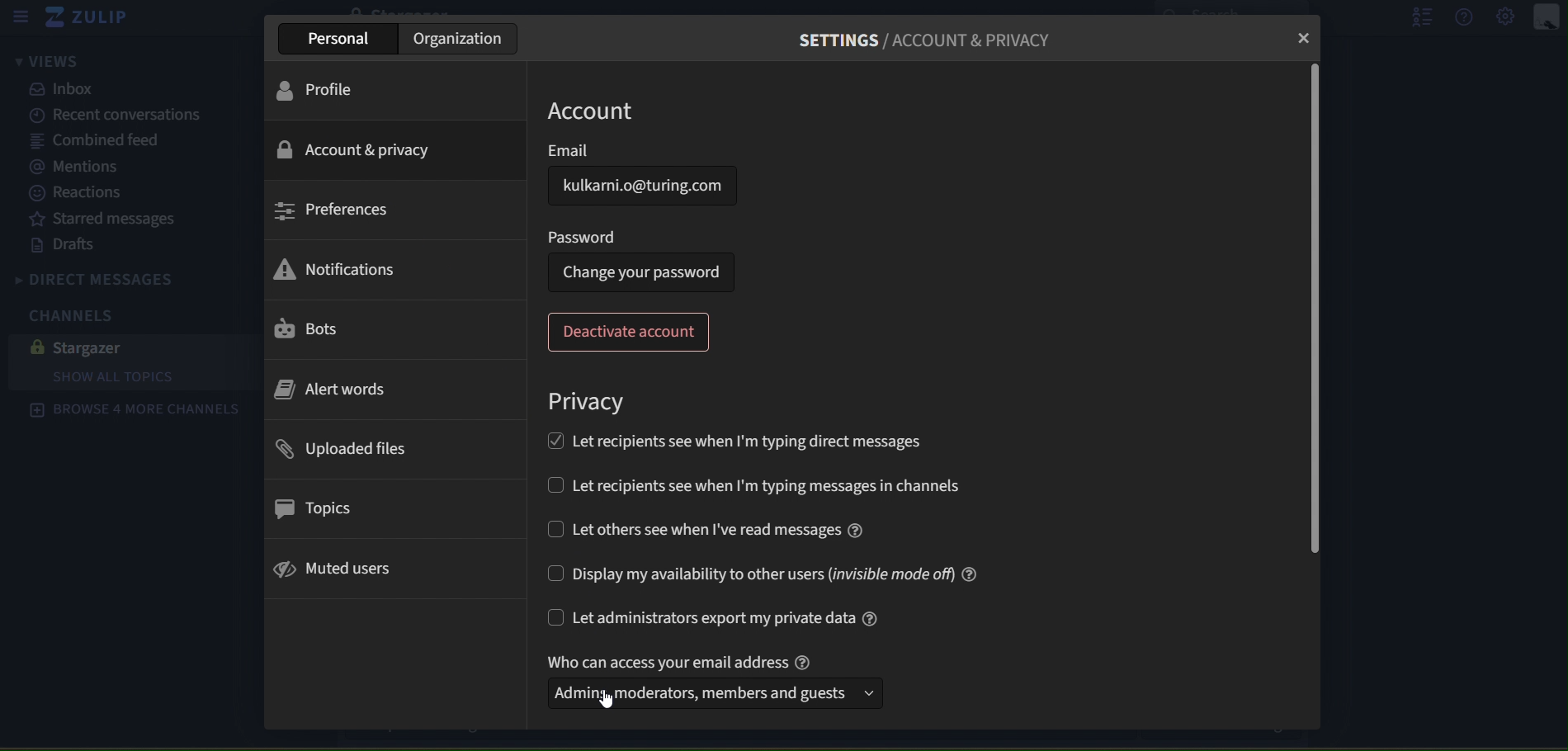  Describe the element at coordinates (134, 410) in the screenshot. I see `browse 4 more channels` at that location.